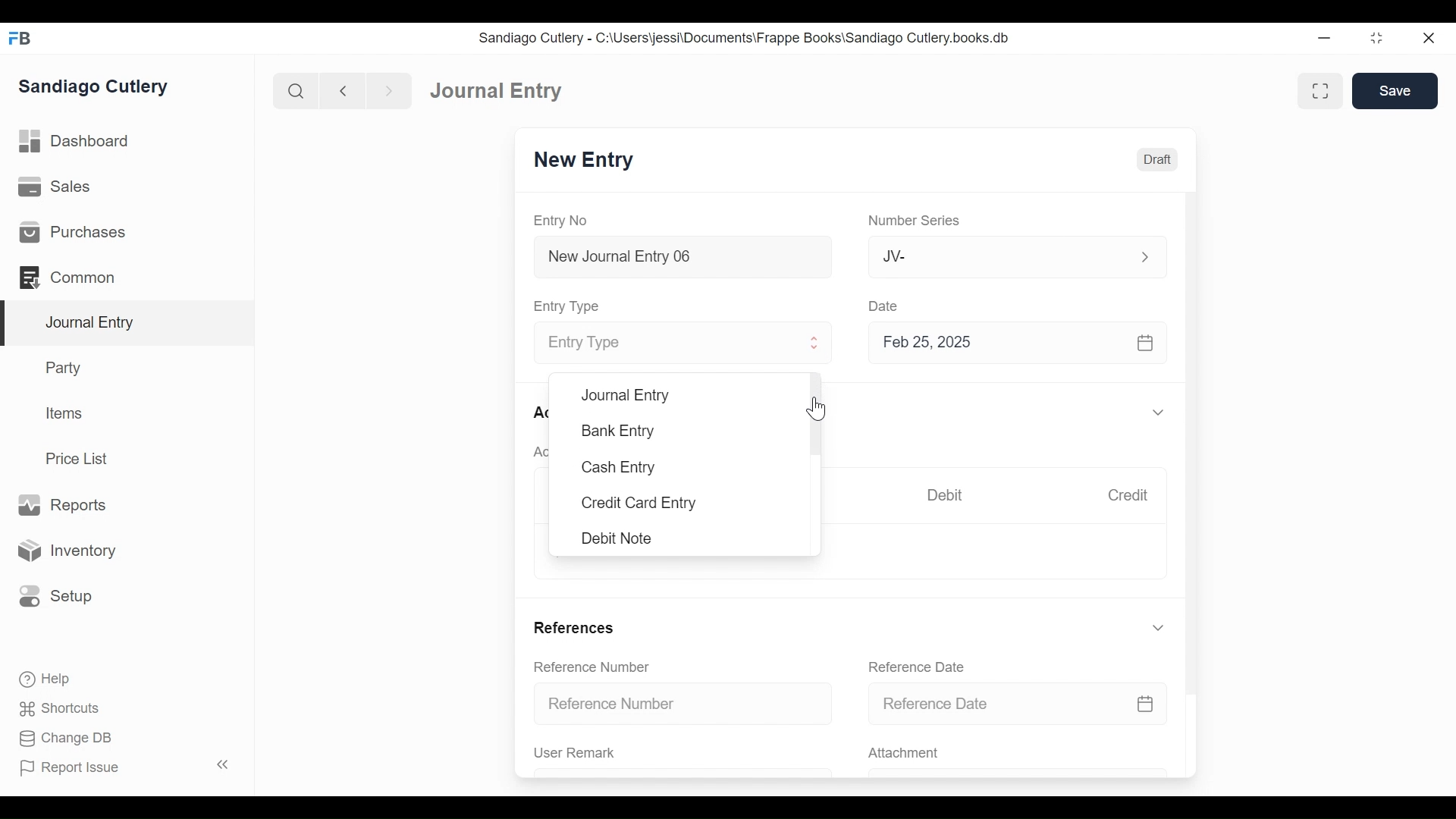 The width and height of the screenshot is (1456, 819). What do you see at coordinates (819, 408) in the screenshot?
I see `Cursor` at bounding box center [819, 408].